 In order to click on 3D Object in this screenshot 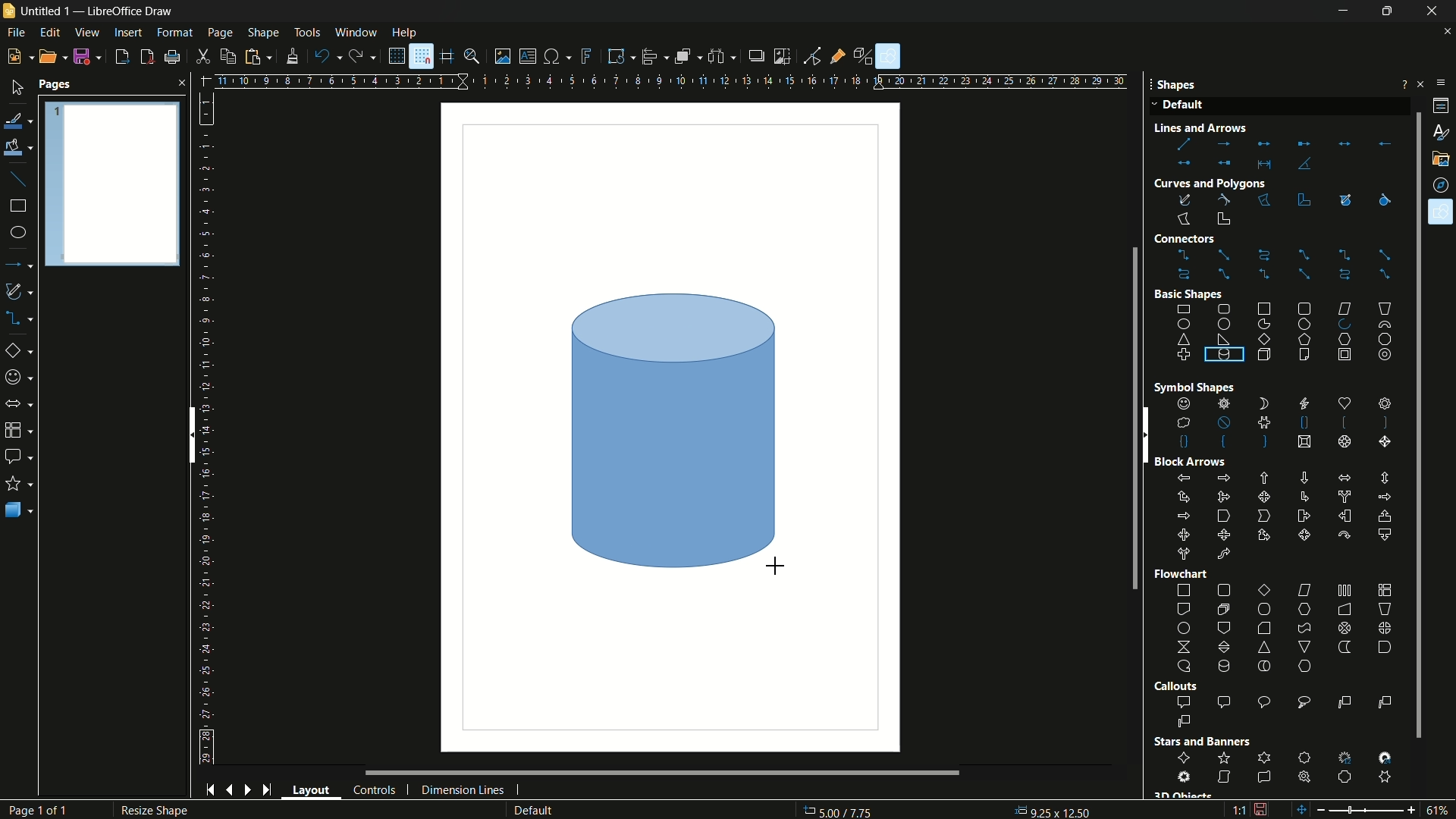, I will do `click(1182, 795)`.